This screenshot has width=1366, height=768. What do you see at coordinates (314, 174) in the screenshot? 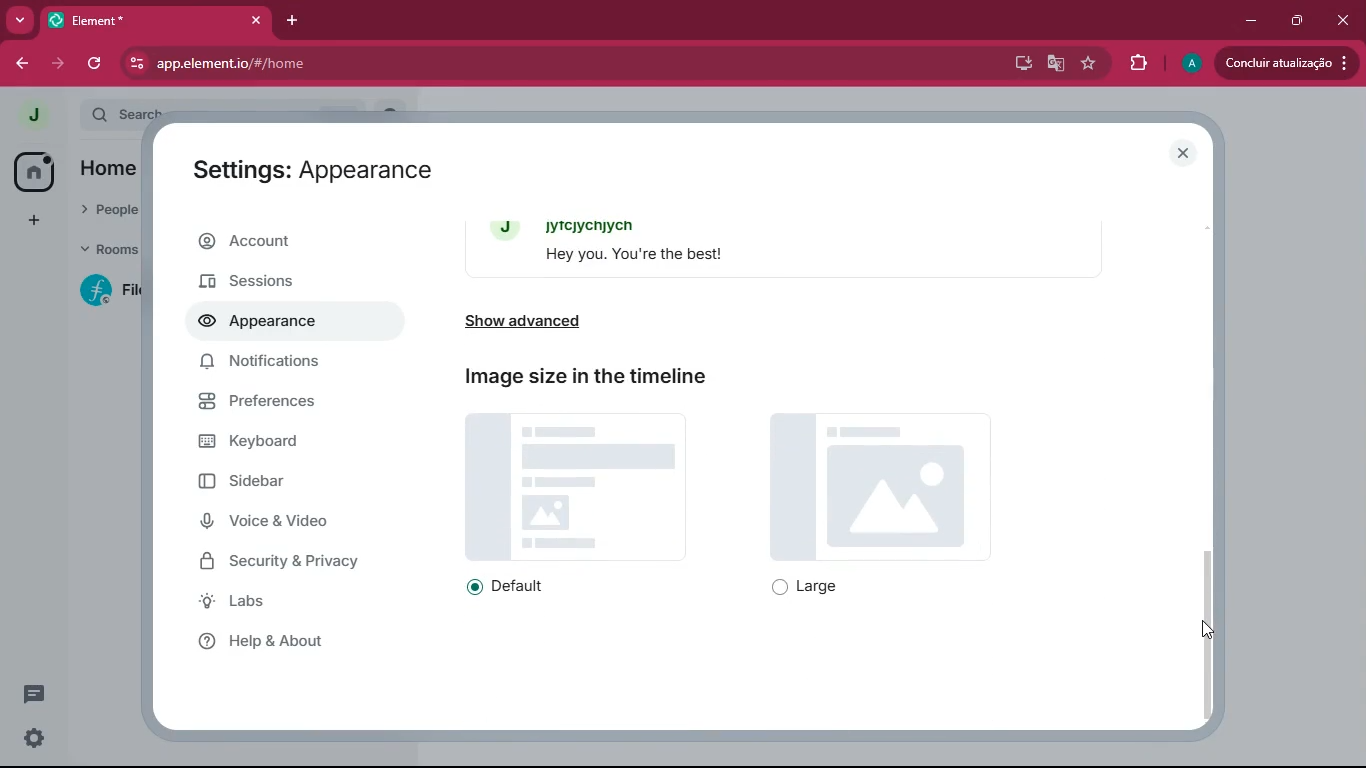
I see `Settings: Appearance` at bounding box center [314, 174].